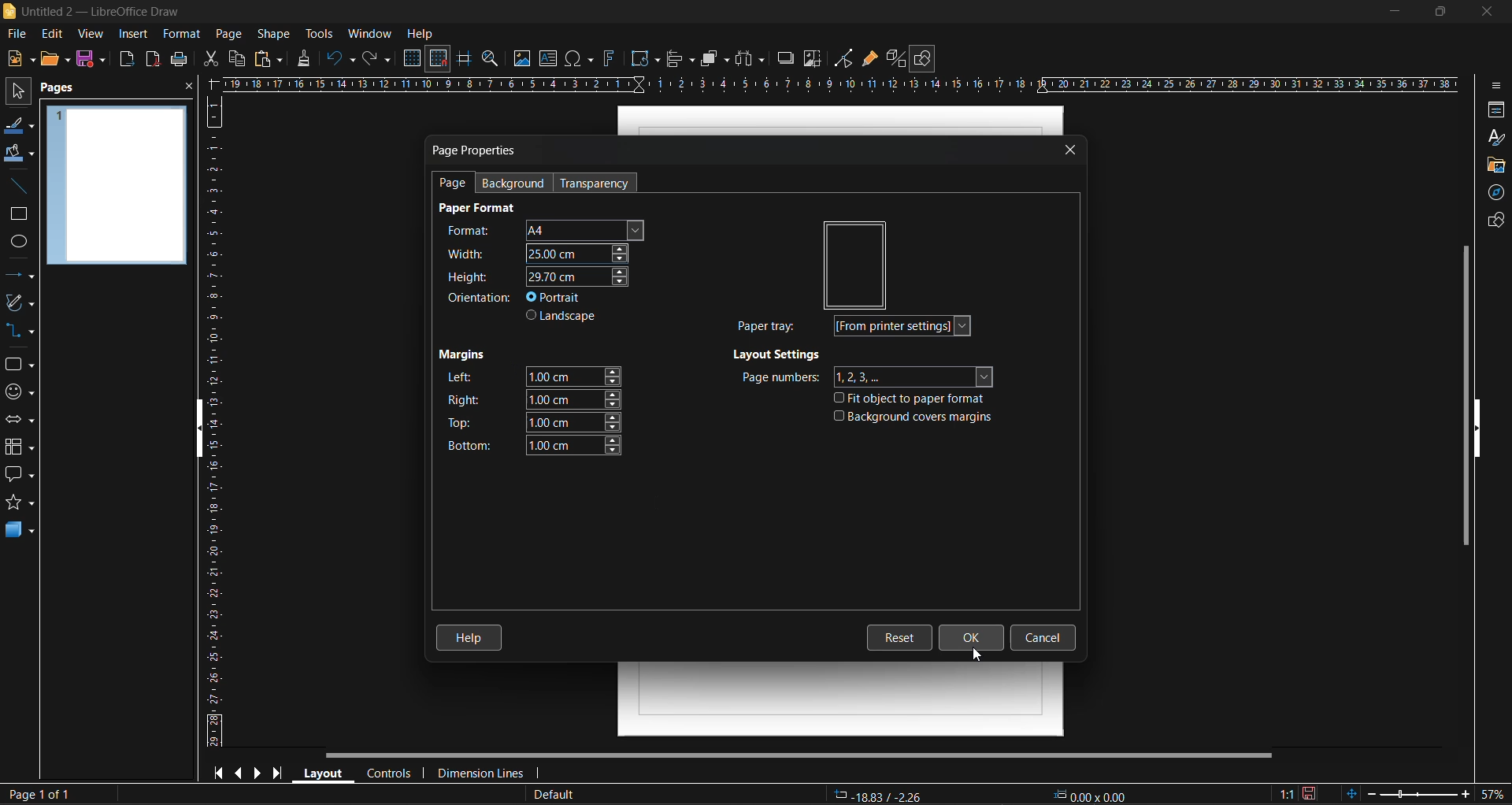  I want to click on image, so click(520, 59).